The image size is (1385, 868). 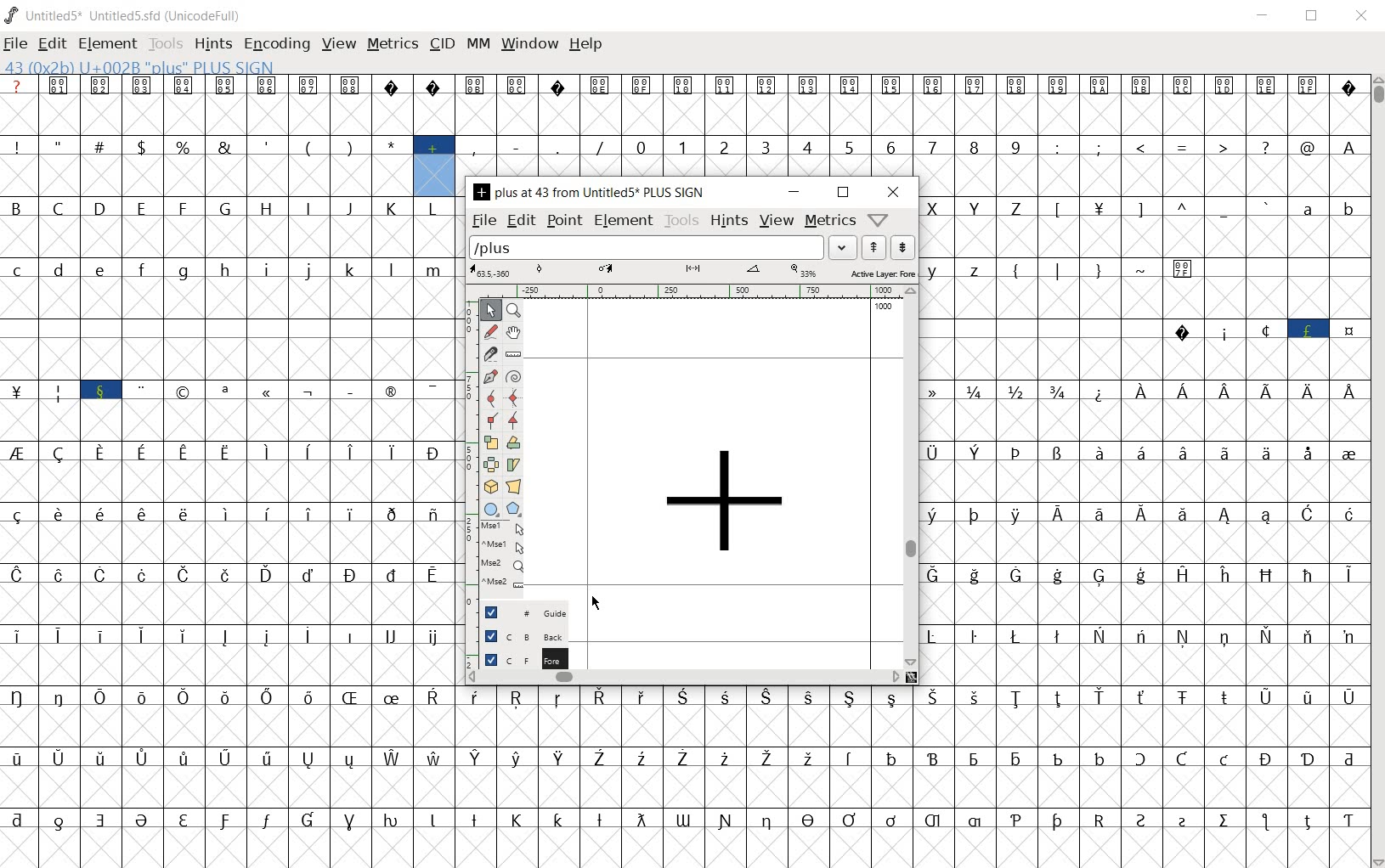 What do you see at coordinates (127, 15) in the screenshot?
I see `Untitled1 Untitled1.sfd (UnicodeFull)` at bounding box center [127, 15].